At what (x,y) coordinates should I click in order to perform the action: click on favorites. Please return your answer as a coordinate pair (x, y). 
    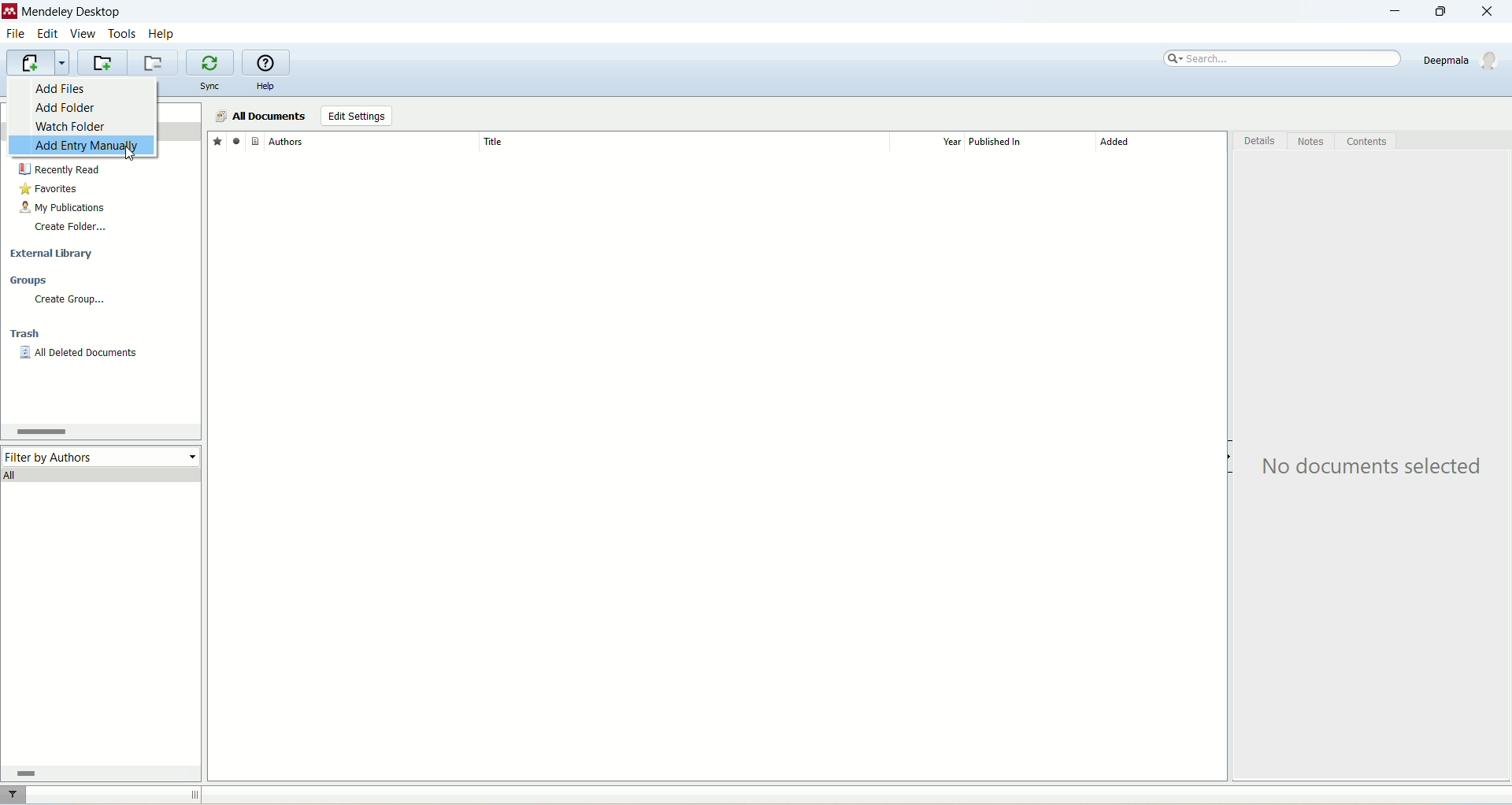
    Looking at the image, I should click on (217, 140).